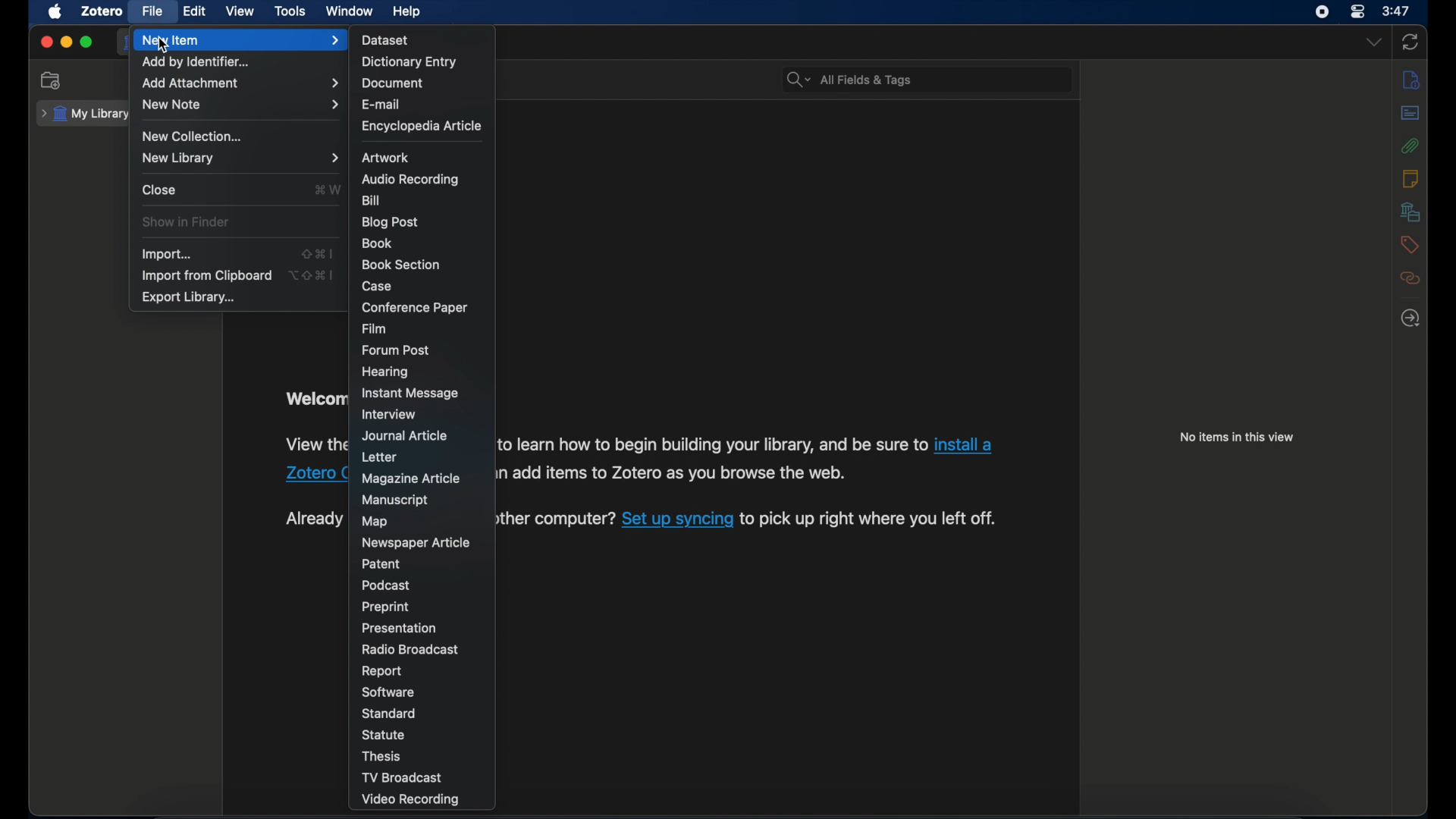  What do you see at coordinates (1373, 43) in the screenshot?
I see `dropdown` at bounding box center [1373, 43].